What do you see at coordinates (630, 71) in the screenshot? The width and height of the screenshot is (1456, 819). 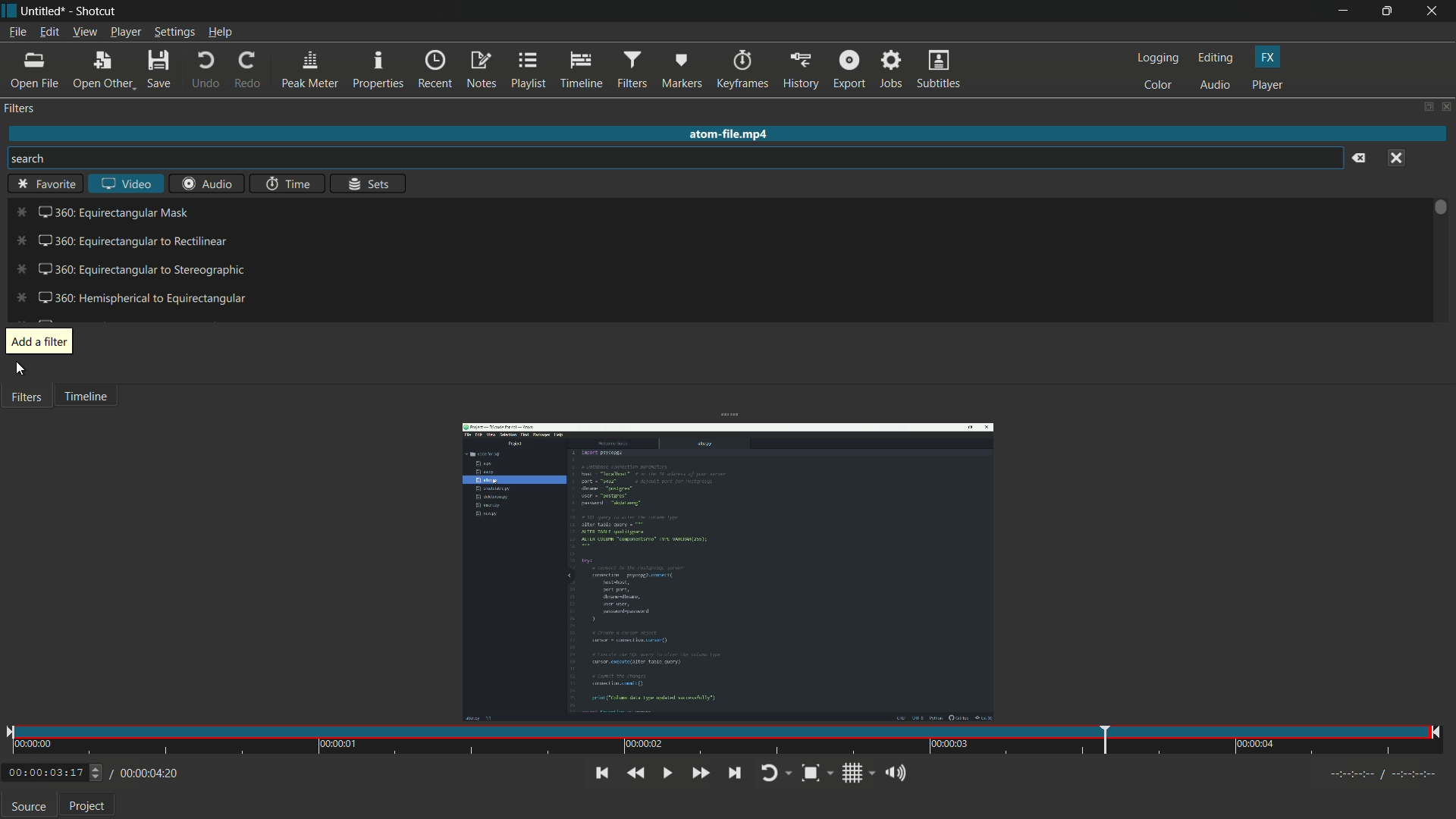 I see `filters` at bounding box center [630, 71].